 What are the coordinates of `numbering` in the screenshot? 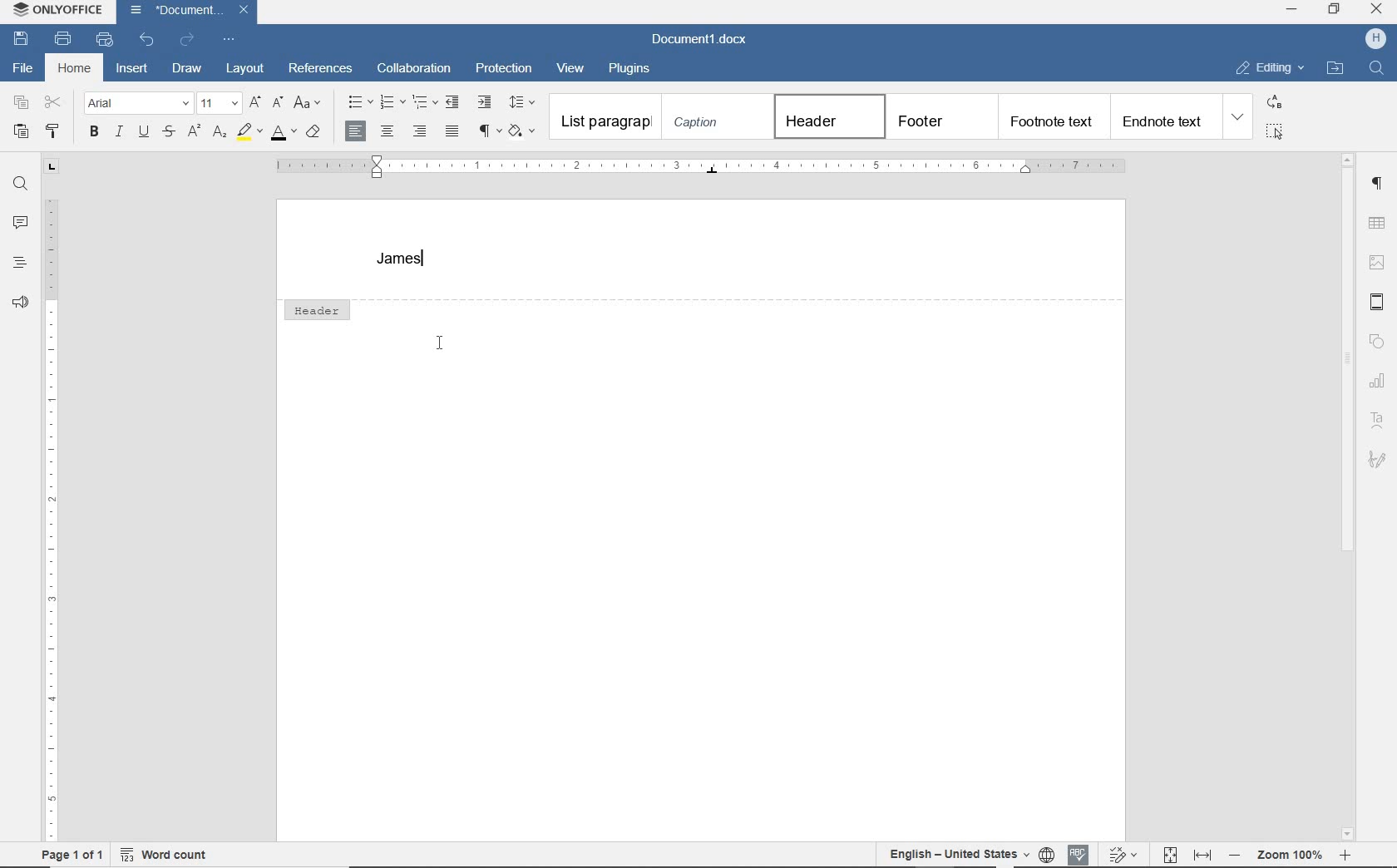 It's located at (392, 103).